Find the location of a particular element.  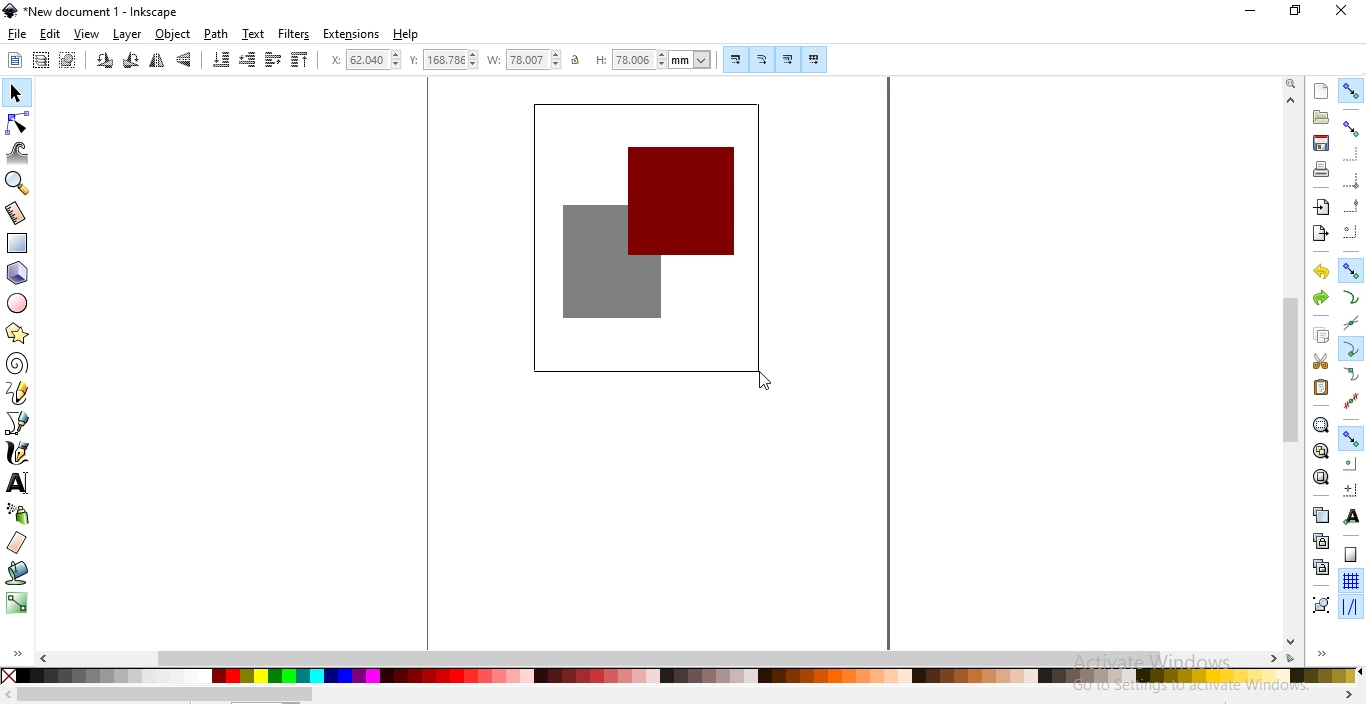

view is located at coordinates (87, 35).